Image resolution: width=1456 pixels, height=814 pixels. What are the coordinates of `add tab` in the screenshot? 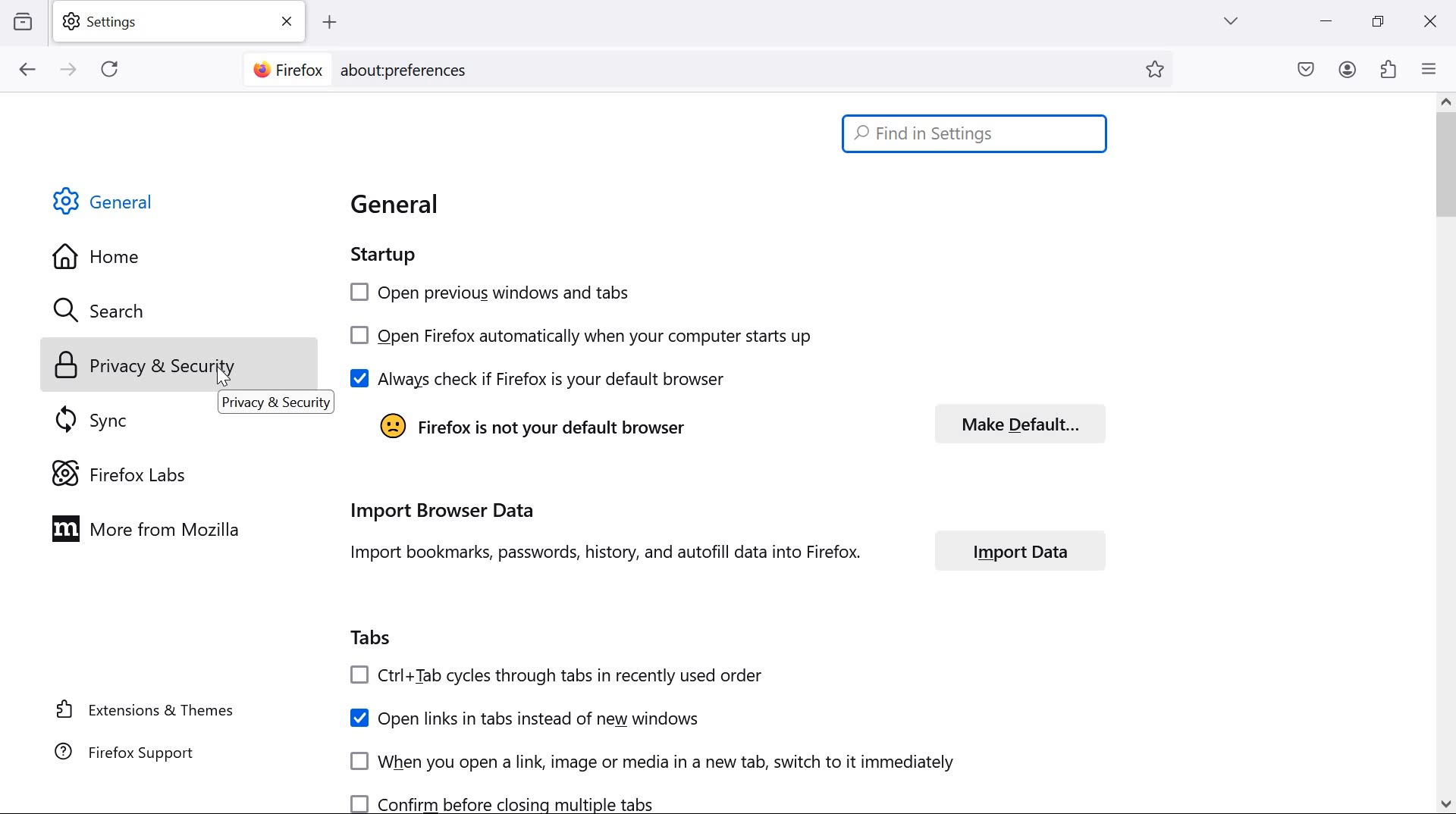 It's located at (329, 23).